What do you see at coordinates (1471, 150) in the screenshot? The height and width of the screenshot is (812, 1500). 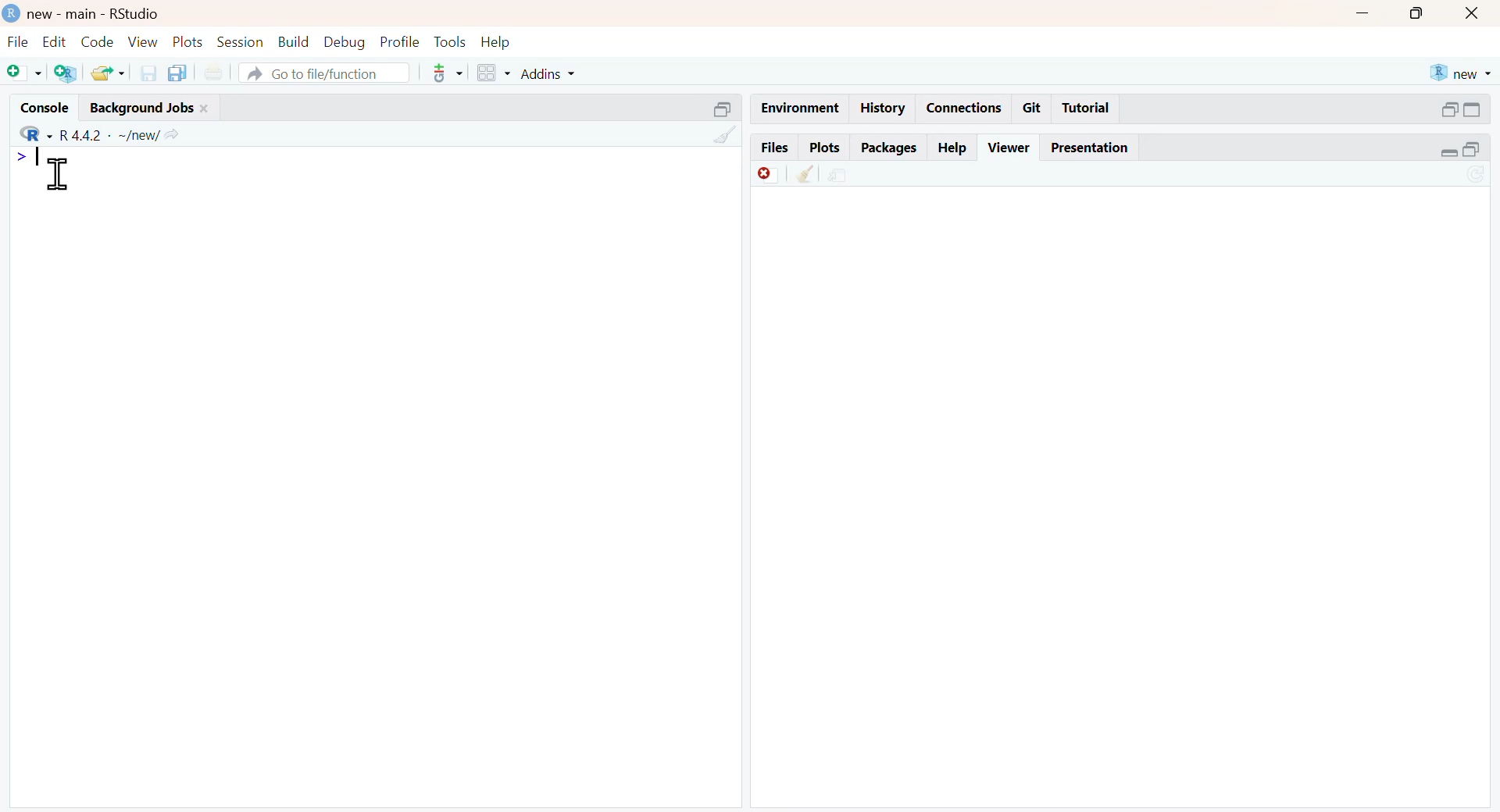 I see `open in separate window` at bounding box center [1471, 150].